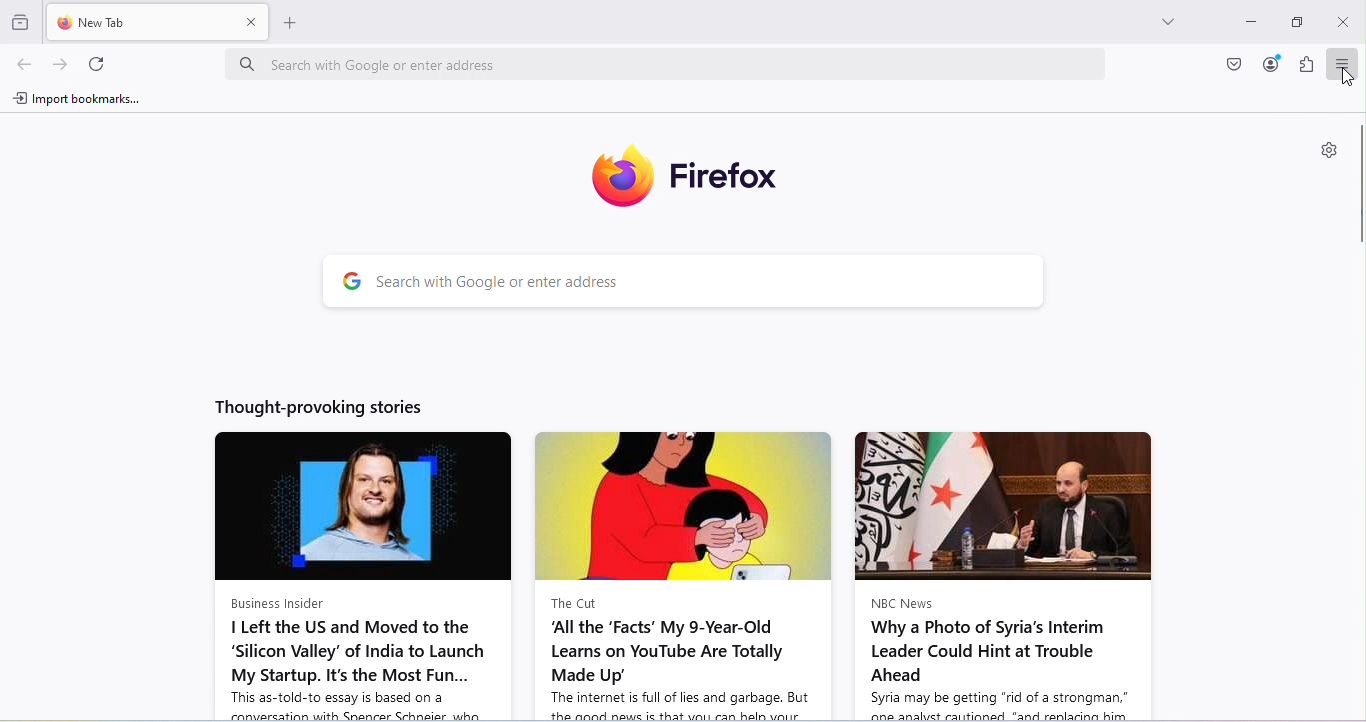  What do you see at coordinates (1271, 65) in the screenshot?
I see `Account` at bounding box center [1271, 65].